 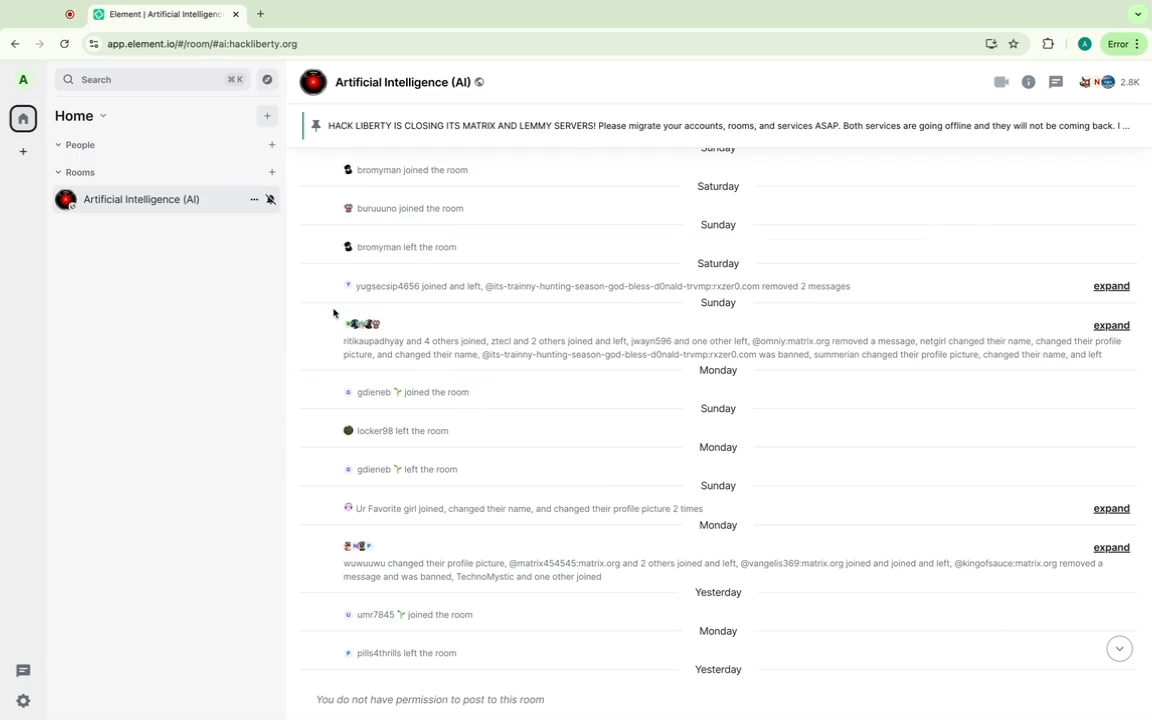 What do you see at coordinates (1122, 651) in the screenshot?
I see `Down` at bounding box center [1122, 651].